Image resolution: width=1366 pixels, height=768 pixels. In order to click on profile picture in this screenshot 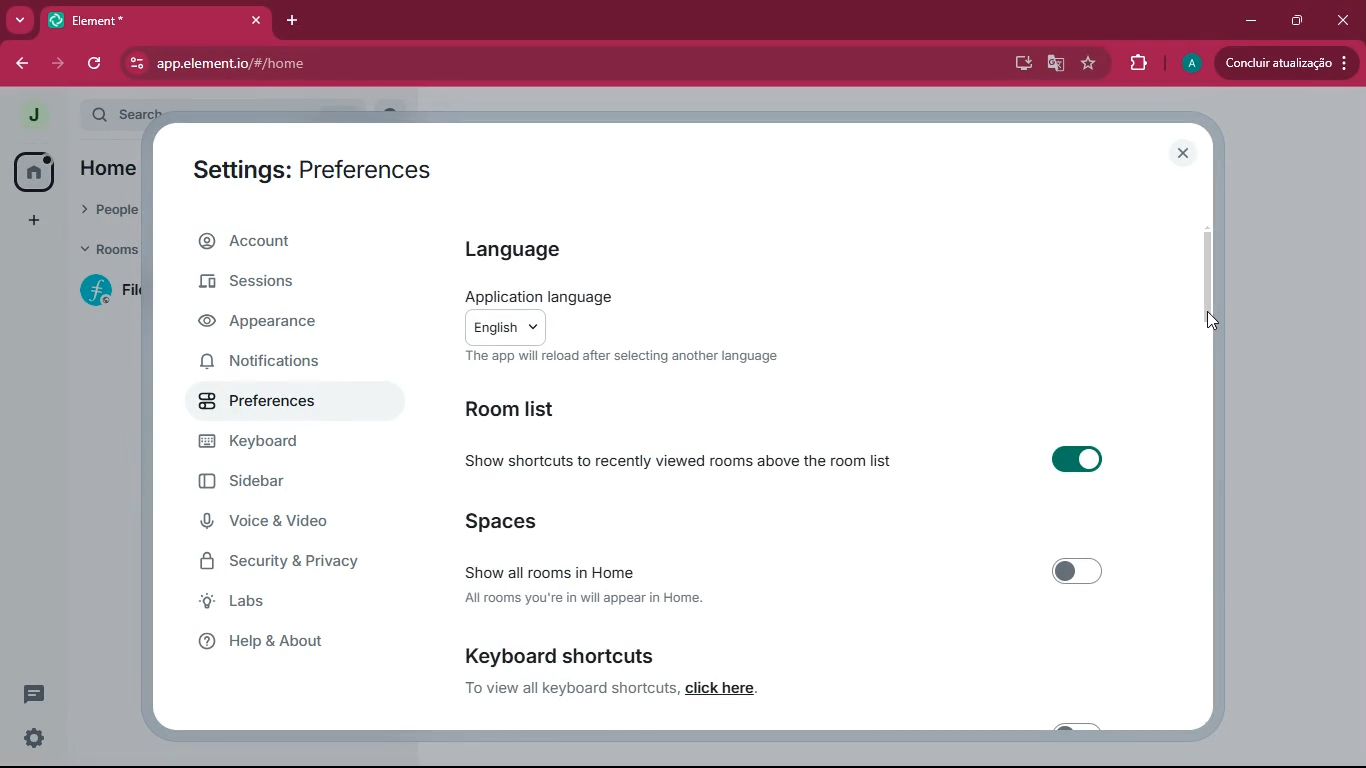, I will do `click(28, 114)`.